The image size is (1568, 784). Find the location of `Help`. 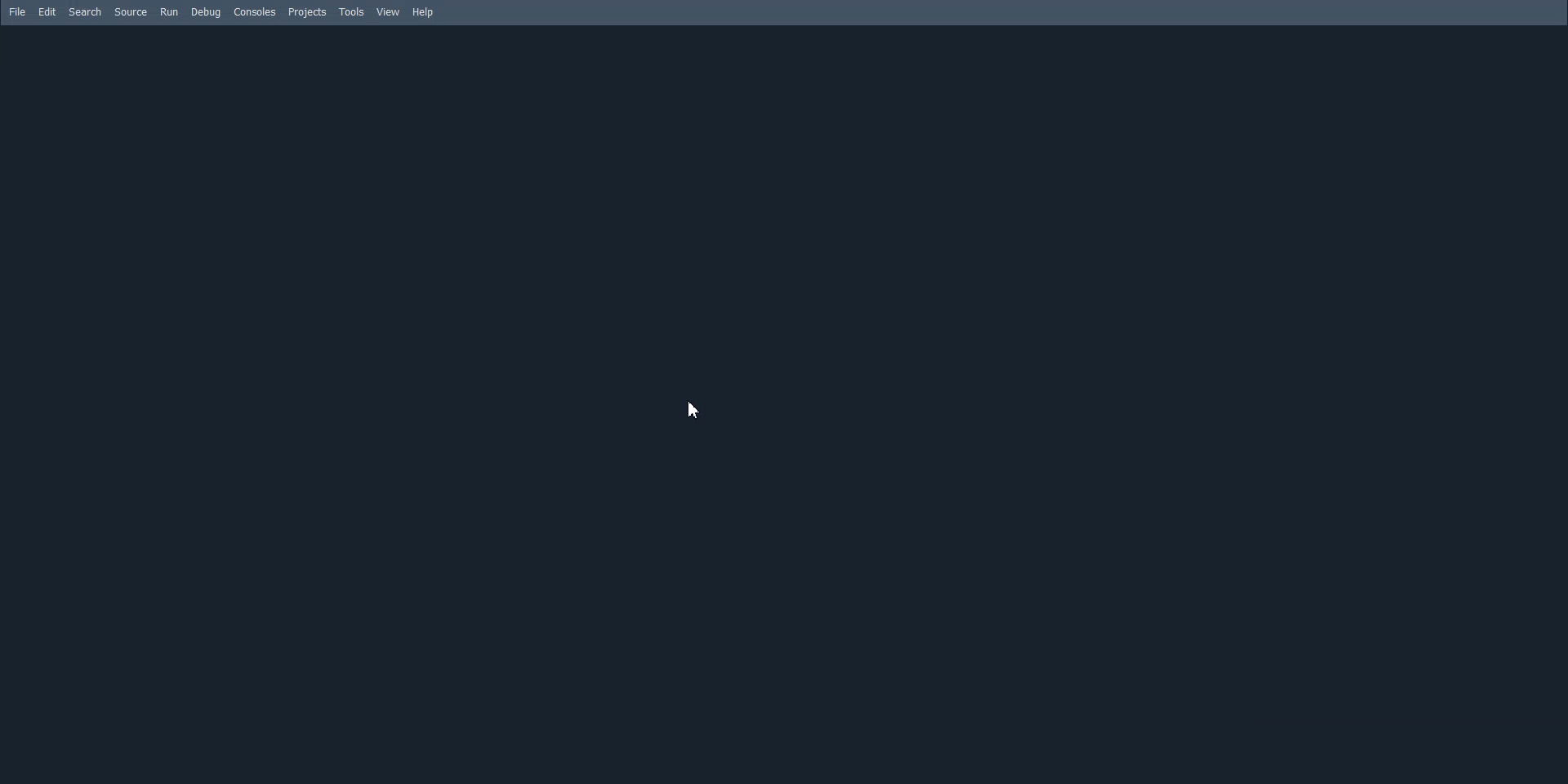

Help is located at coordinates (421, 11).